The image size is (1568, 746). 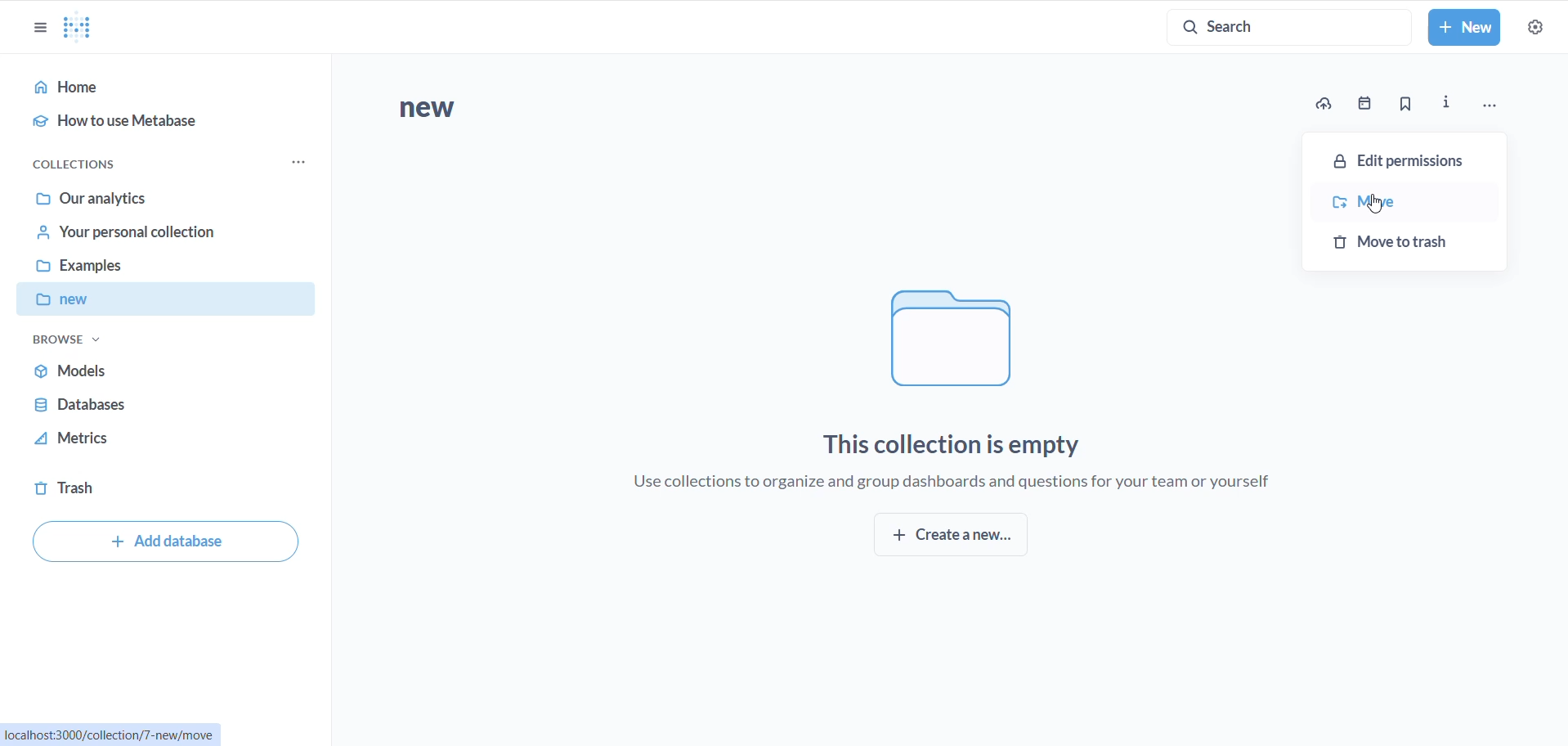 What do you see at coordinates (1328, 102) in the screenshot?
I see `upload` at bounding box center [1328, 102].